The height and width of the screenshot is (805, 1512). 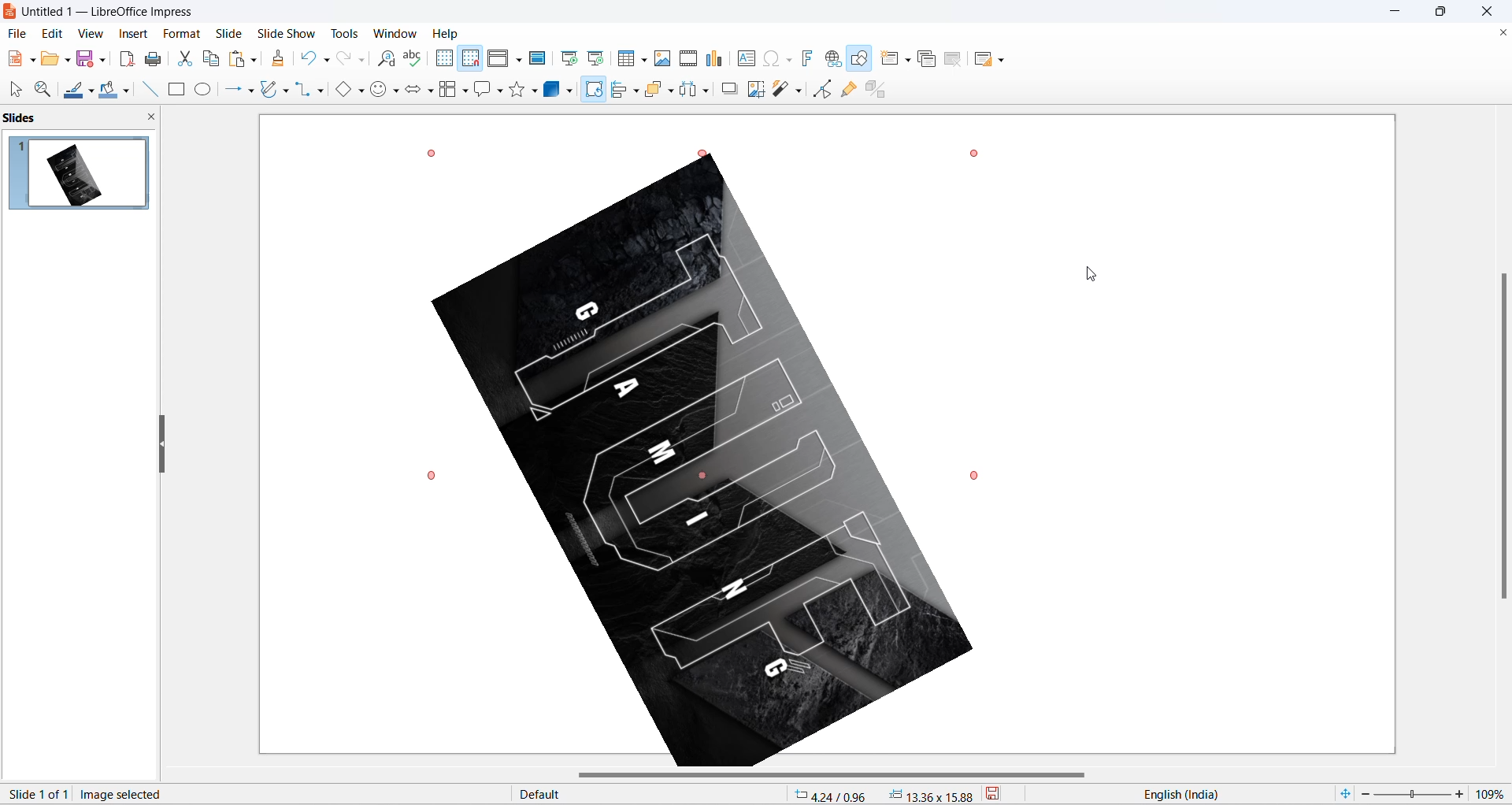 What do you see at coordinates (1462, 793) in the screenshot?
I see `zoom increase` at bounding box center [1462, 793].